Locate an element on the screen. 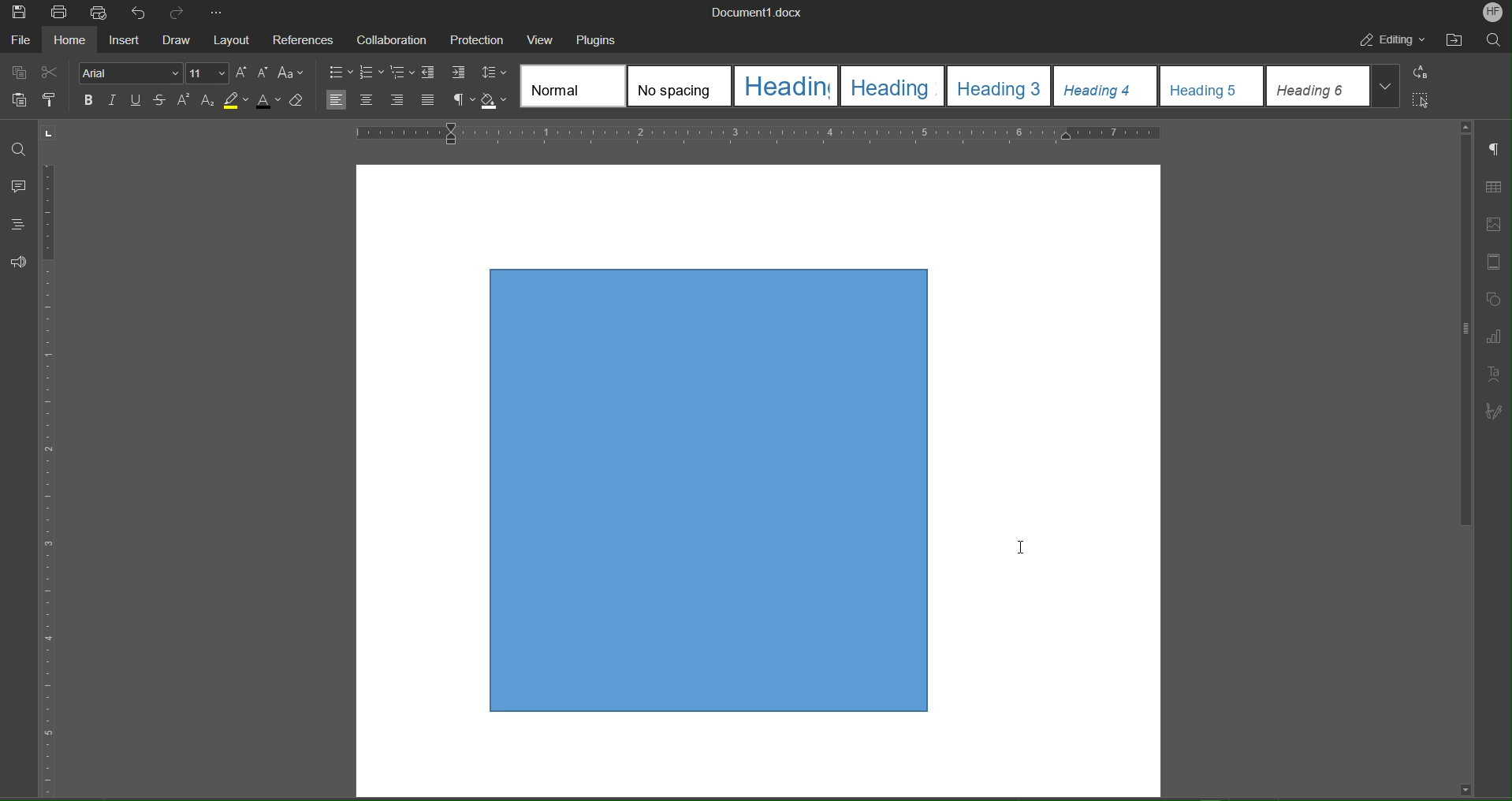  Left Align is located at coordinates (338, 101).